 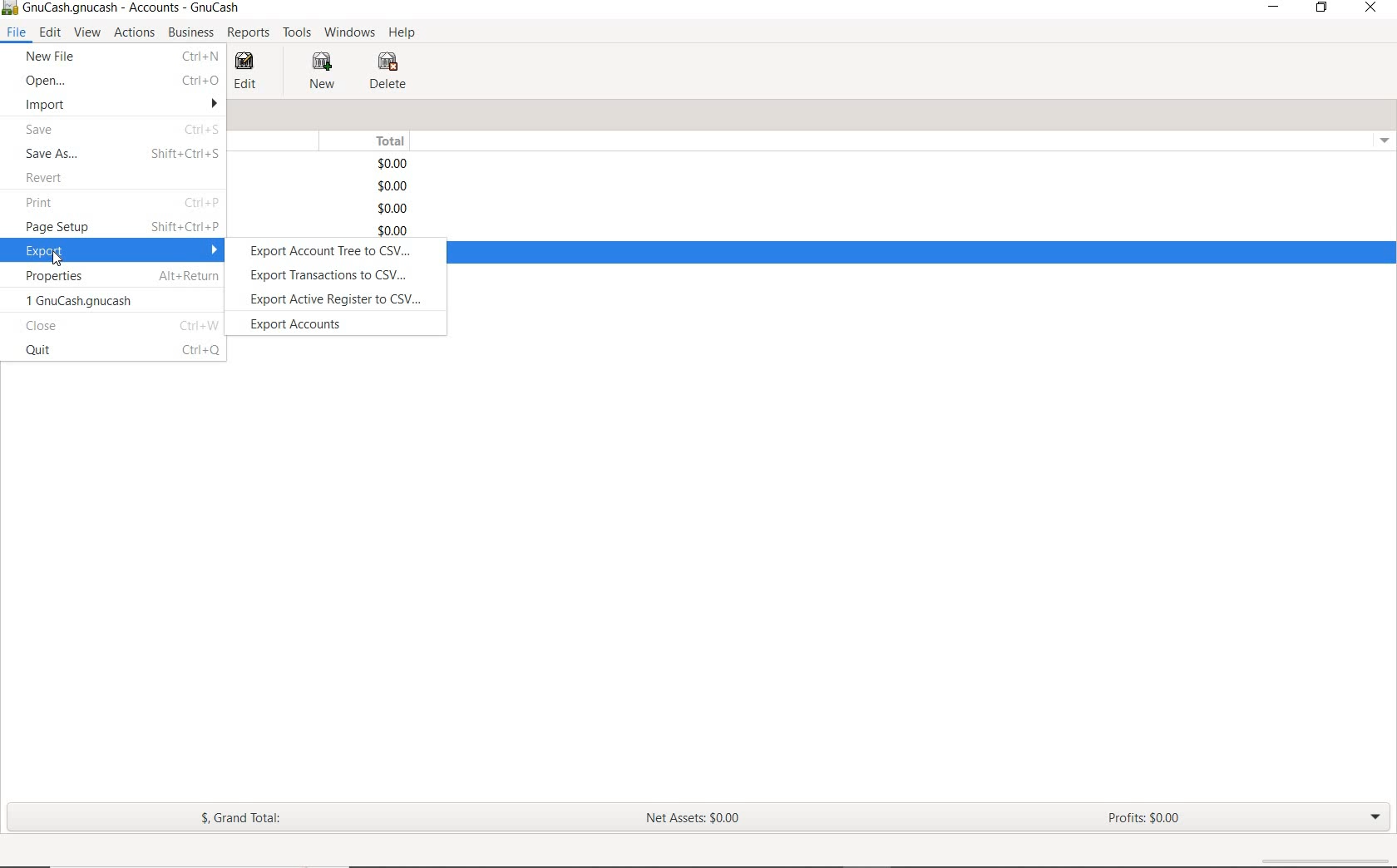 What do you see at coordinates (249, 33) in the screenshot?
I see `REPORTS` at bounding box center [249, 33].